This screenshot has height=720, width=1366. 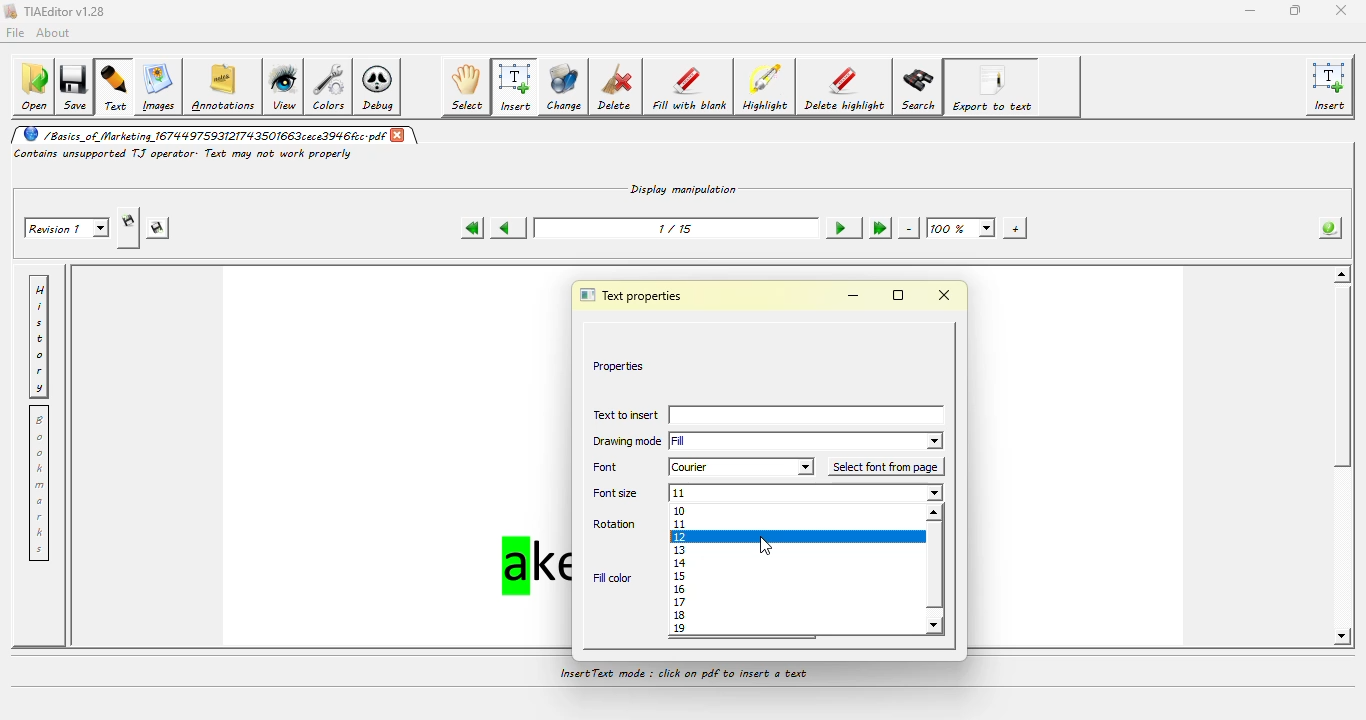 What do you see at coordinates (1339, 636) in the screenshot?
I see `scroll down` at bounding box center [1339, 636].